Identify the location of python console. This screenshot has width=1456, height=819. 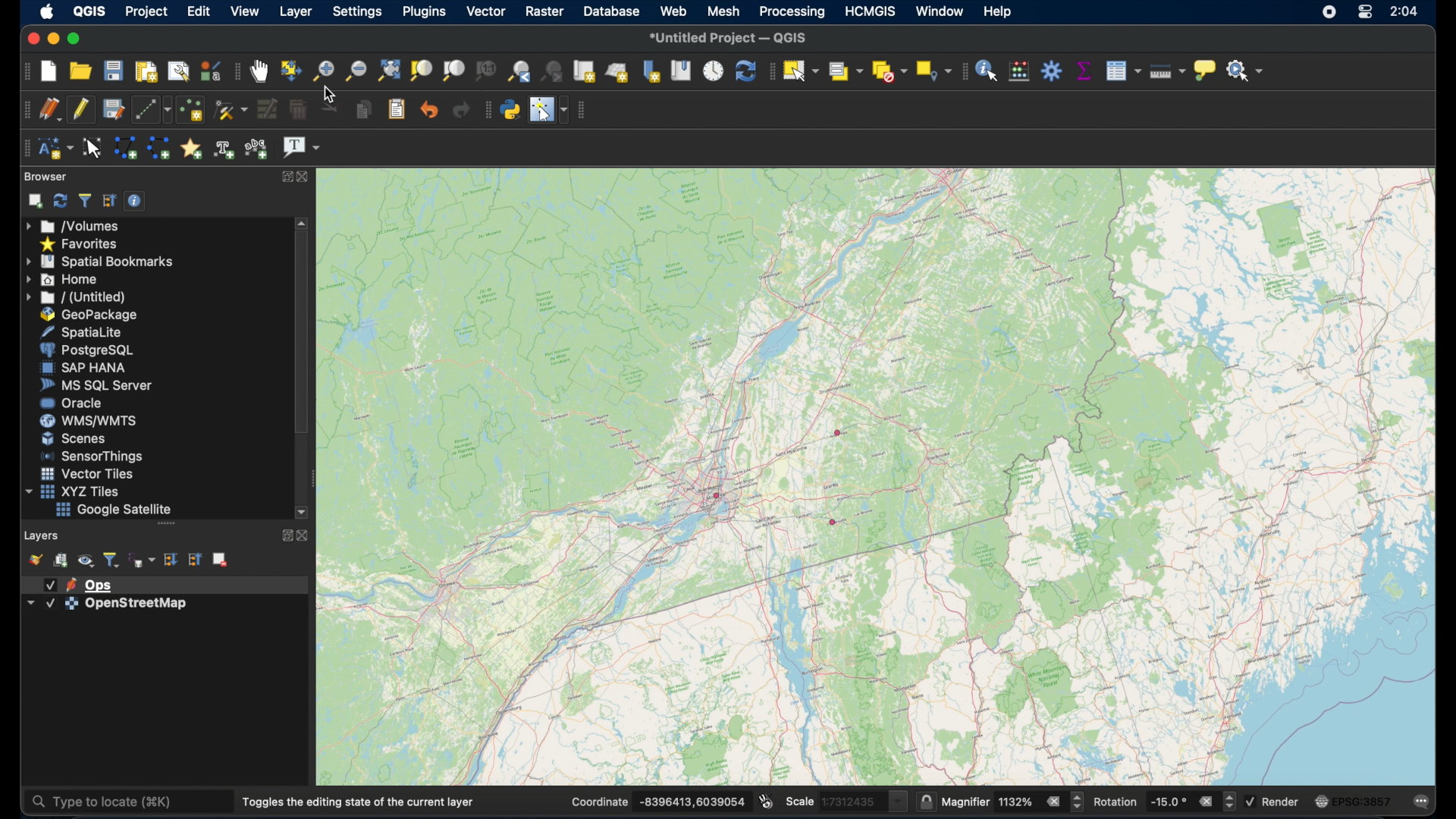
(509, 110).